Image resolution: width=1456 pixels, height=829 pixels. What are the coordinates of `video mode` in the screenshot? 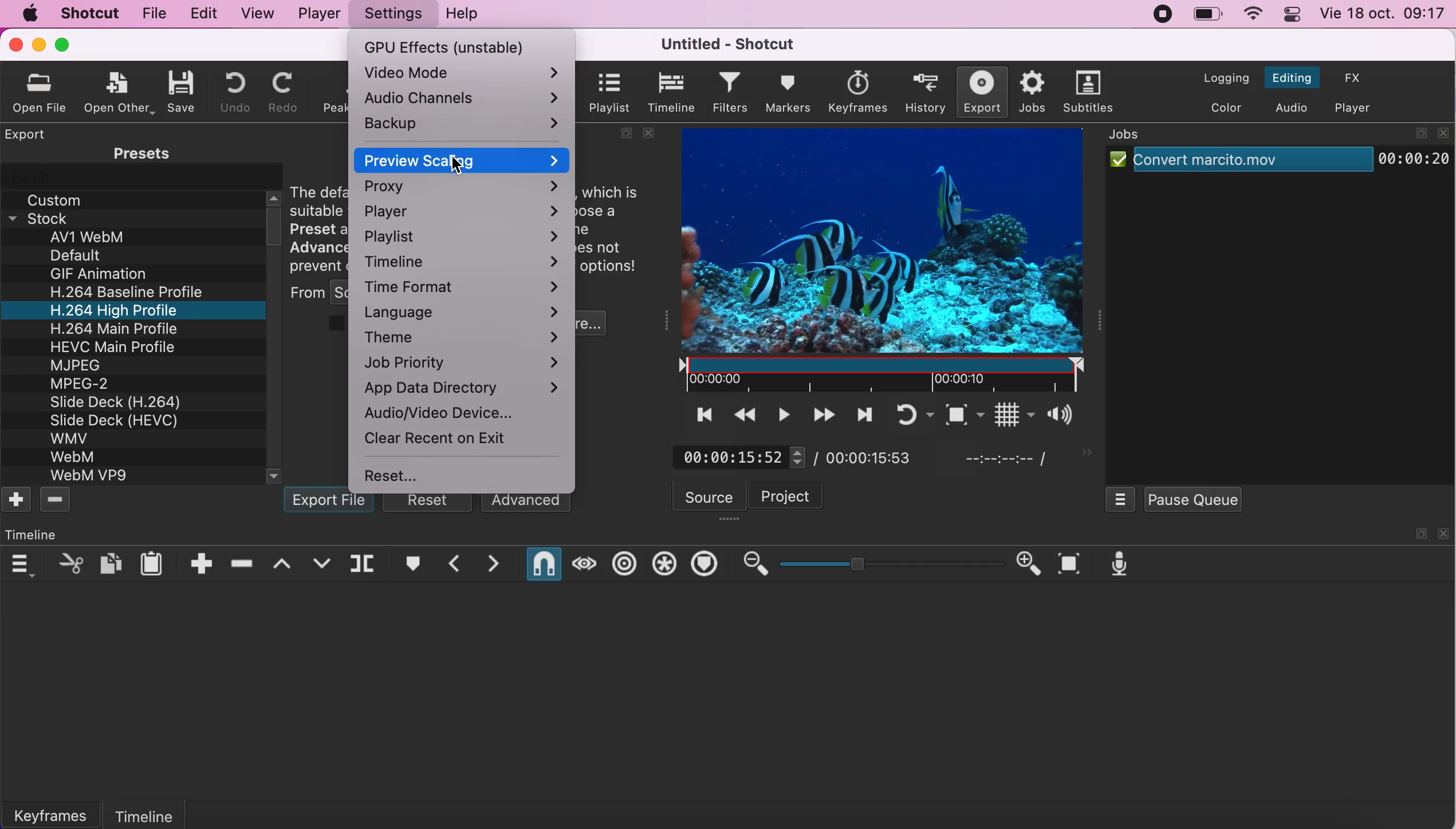 It's located at (461, 73).